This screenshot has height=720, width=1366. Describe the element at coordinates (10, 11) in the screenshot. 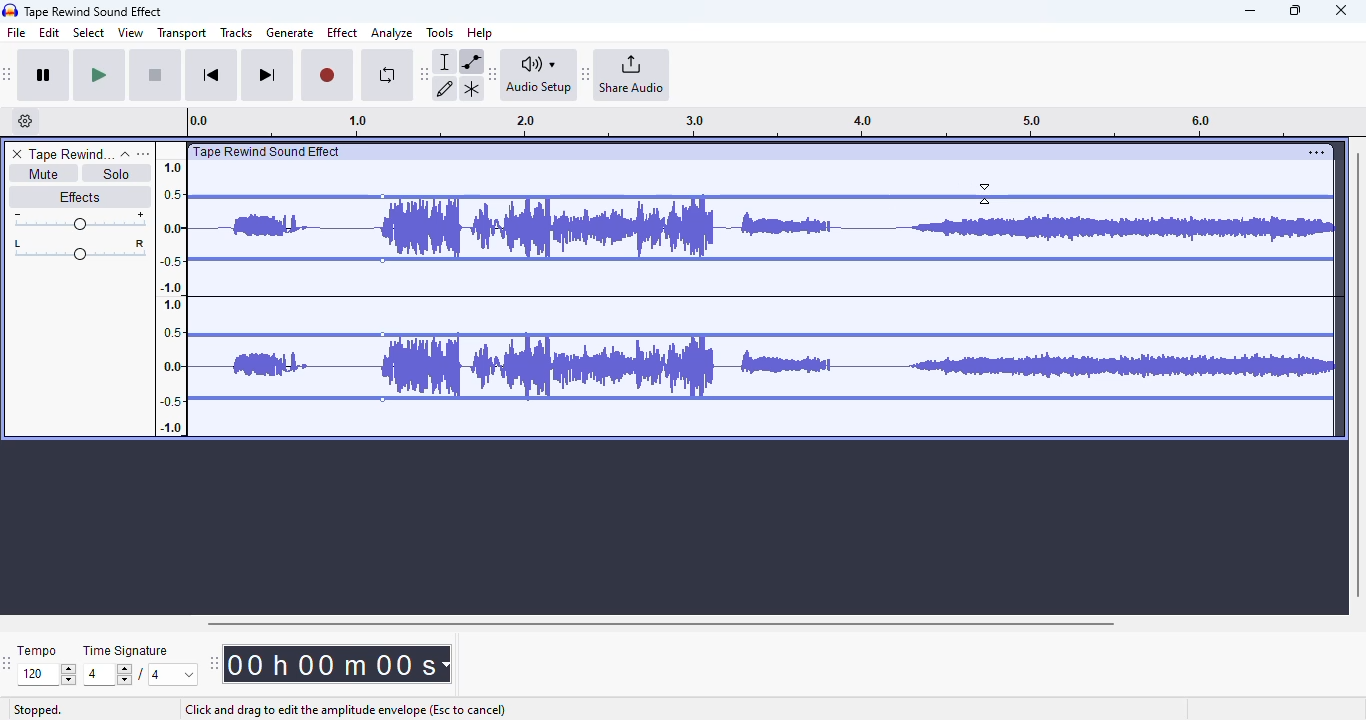

I see `Audacity logo` at that location.